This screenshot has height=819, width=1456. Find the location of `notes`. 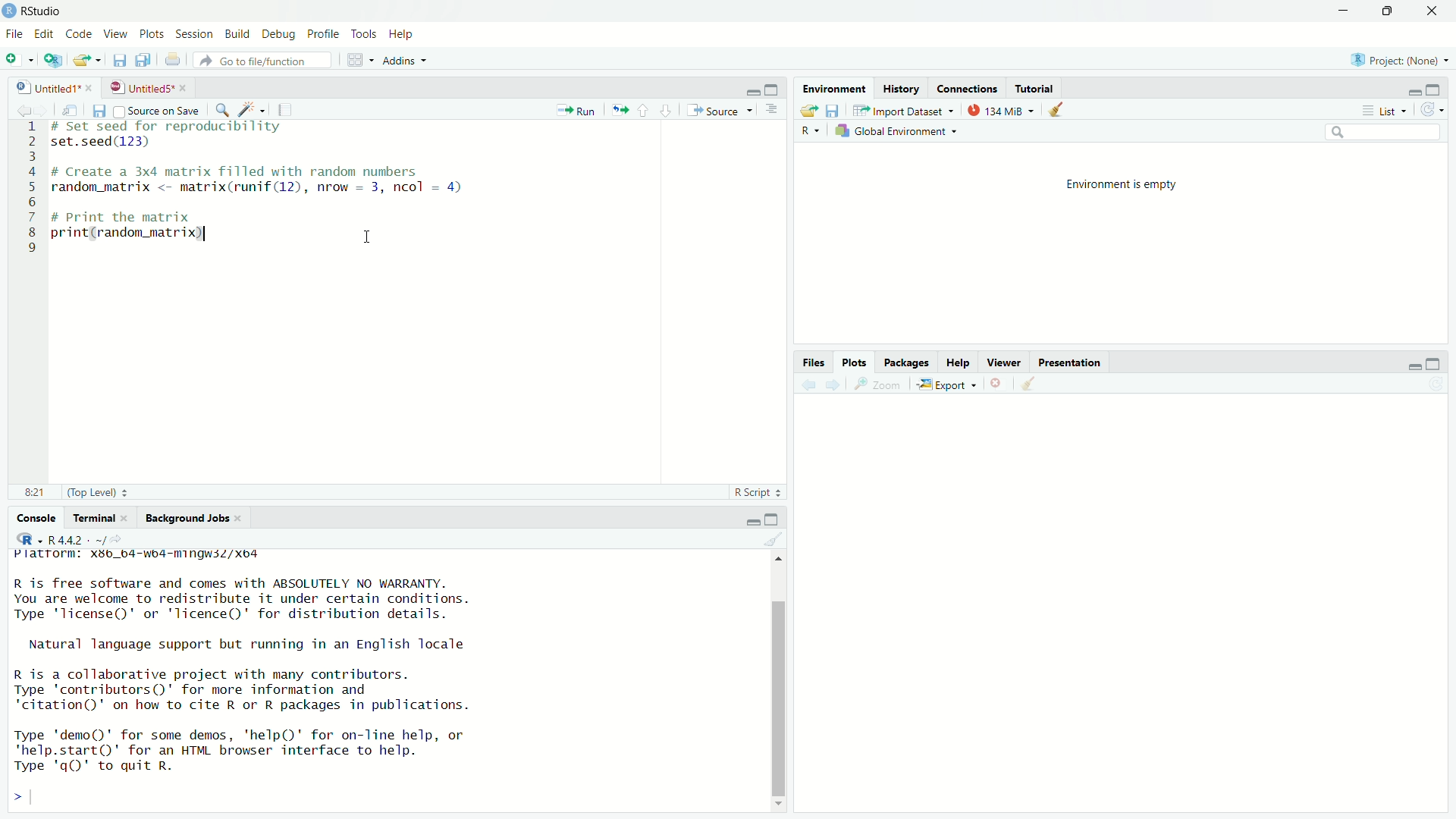

notes is located at coordinates (285, 106).